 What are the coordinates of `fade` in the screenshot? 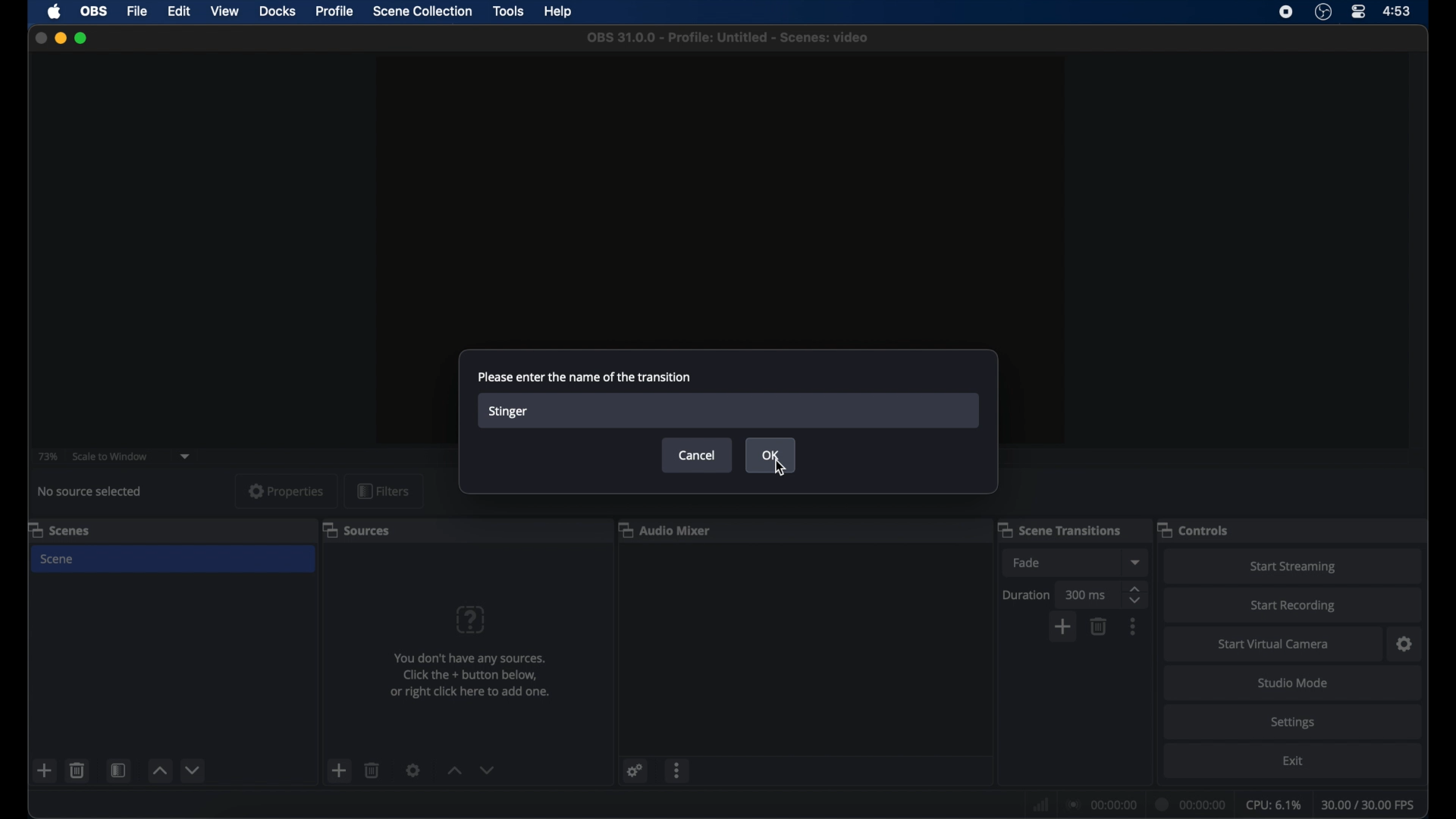 It's located at (1027, 563).